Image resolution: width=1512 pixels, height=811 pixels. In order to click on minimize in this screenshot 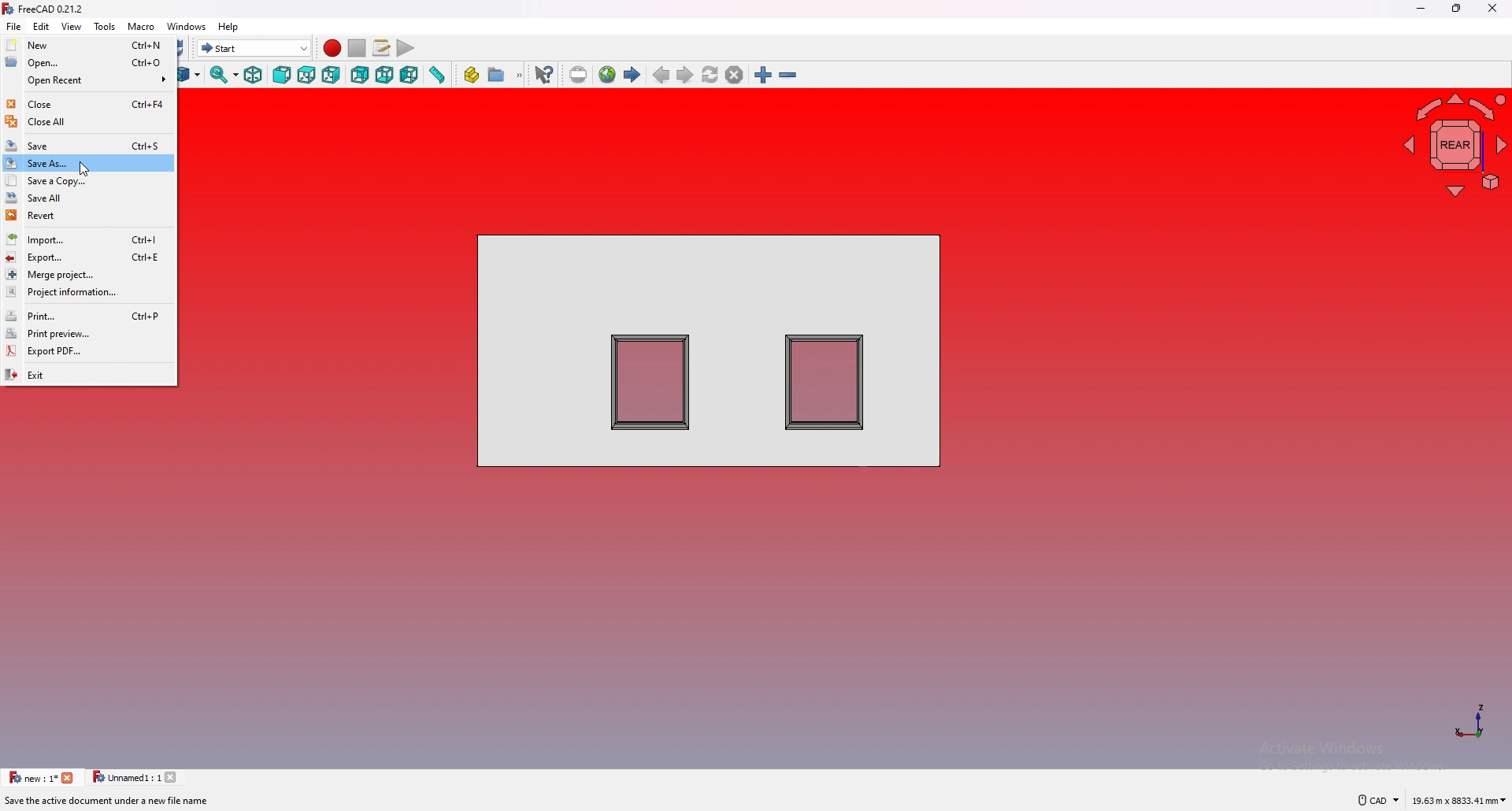, I will do `click(1422, 8)`.